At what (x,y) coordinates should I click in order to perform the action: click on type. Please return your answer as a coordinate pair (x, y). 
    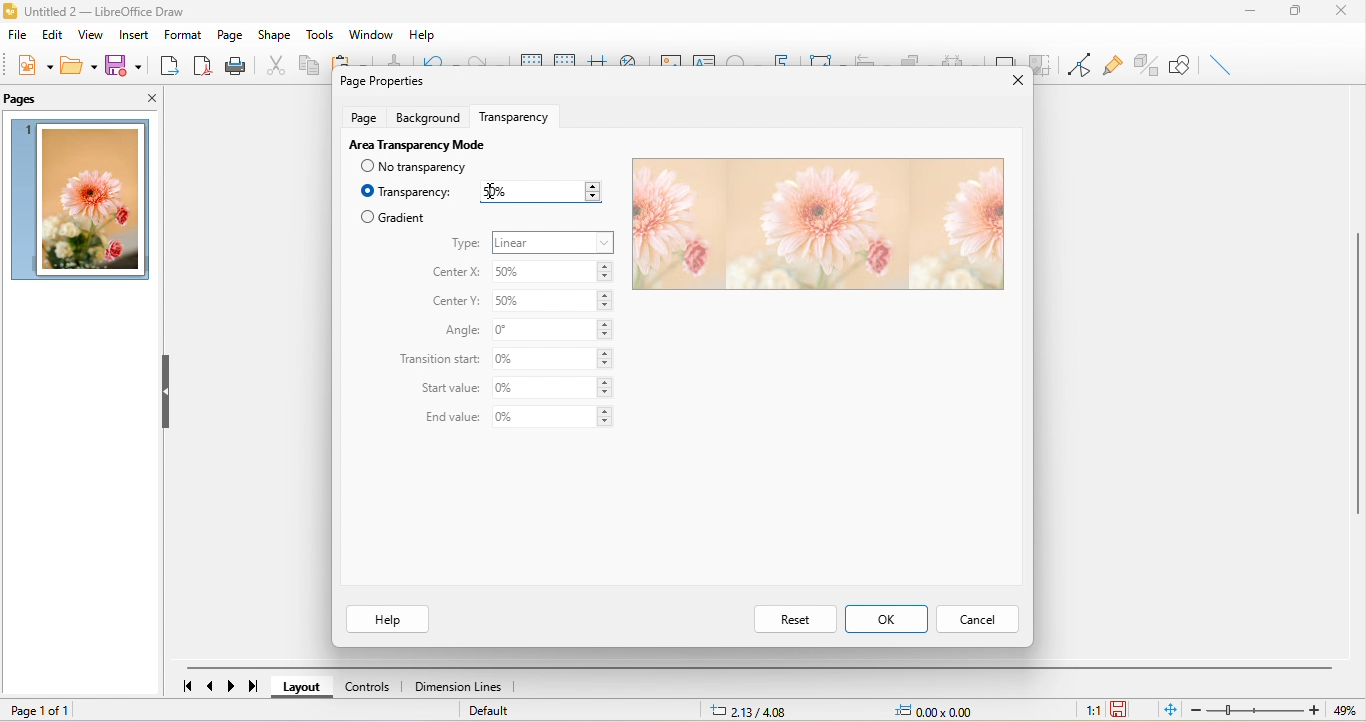
    Looking at the image, I should click on (466, 244).